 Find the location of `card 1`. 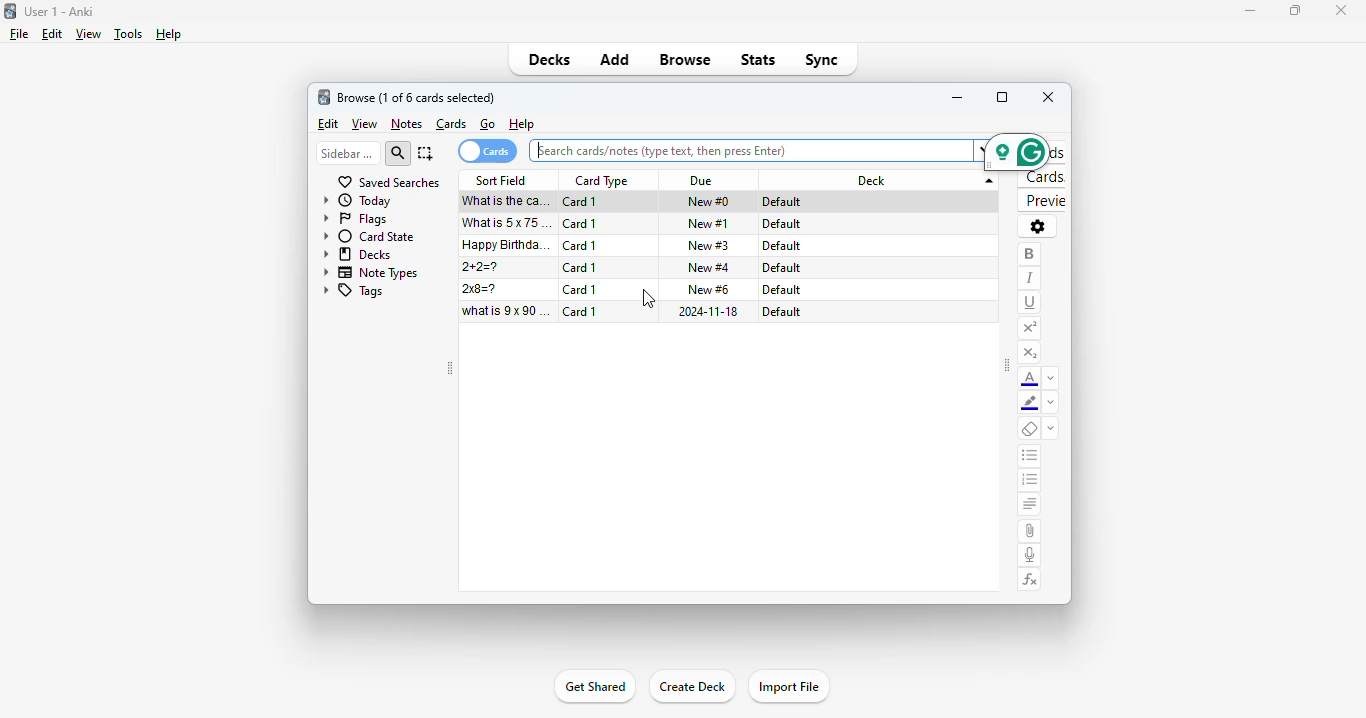

card 1 is located at coordinates (580, 268).